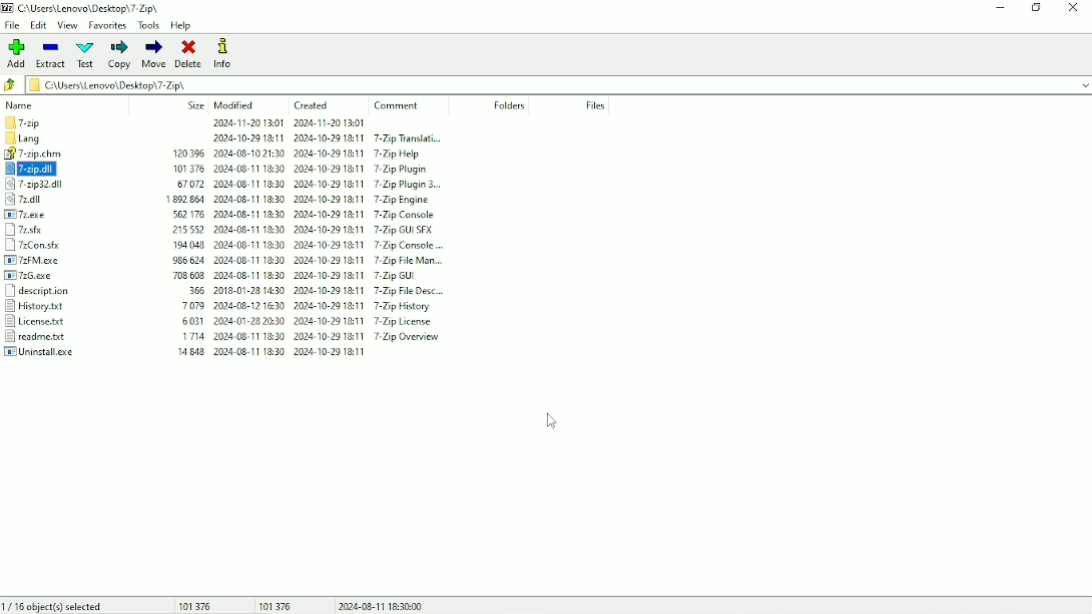 This screenshot has width=1092, height=614. What do you see at coordinates (308, 247) in the screenshot?
I see `194043 2024-08-11 1230 2024-70-29 1811 7-Zip Console ..` at bounding box center [308, 247].